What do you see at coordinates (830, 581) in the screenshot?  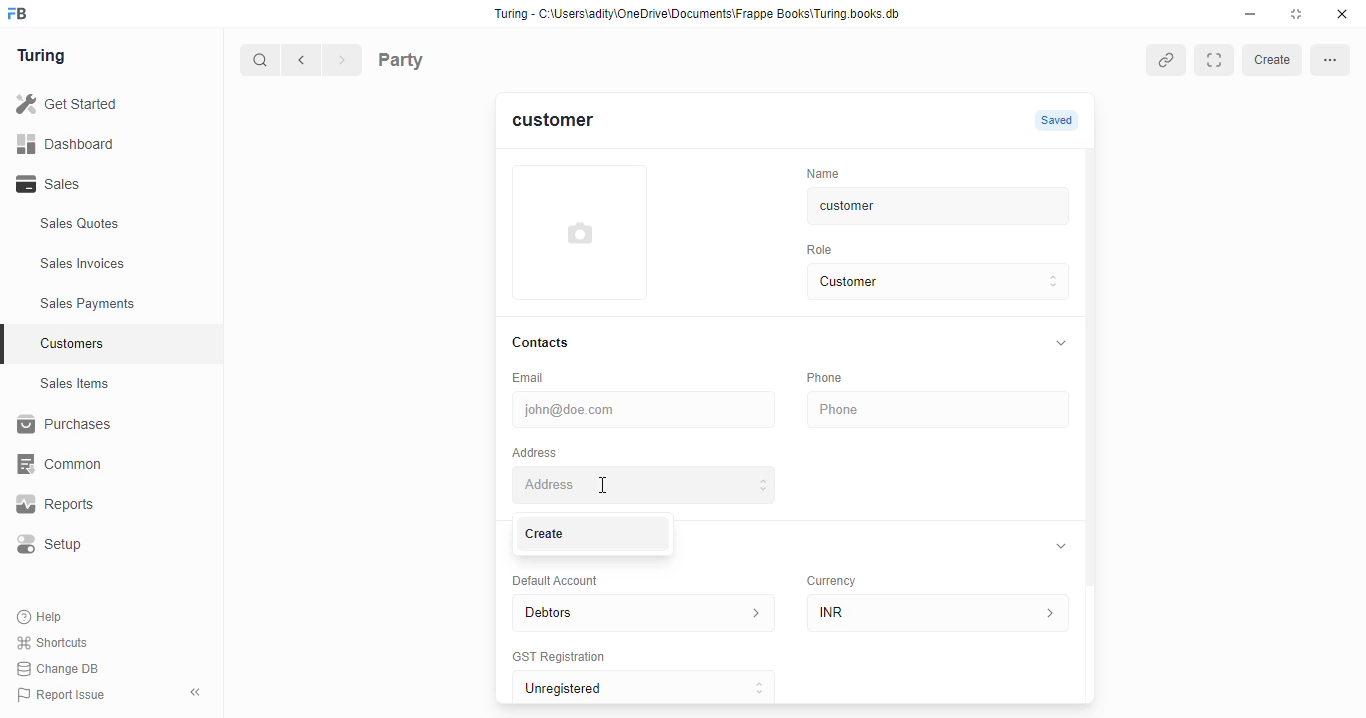 I see `Currency` at bounding box center [830, 581].